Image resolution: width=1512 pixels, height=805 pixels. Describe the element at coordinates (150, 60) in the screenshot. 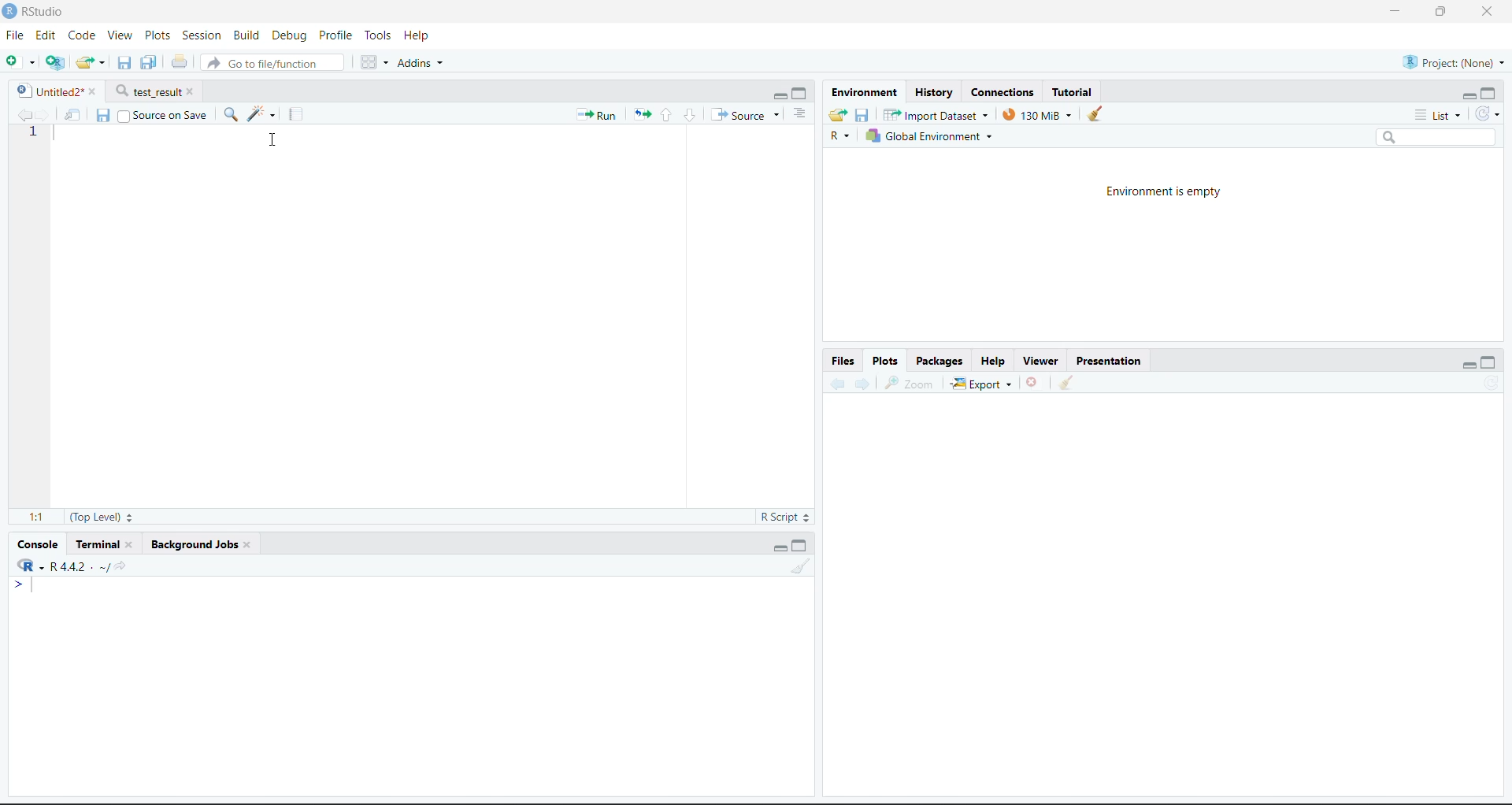

I see `Save current document (Ctrl + S)` at that location.